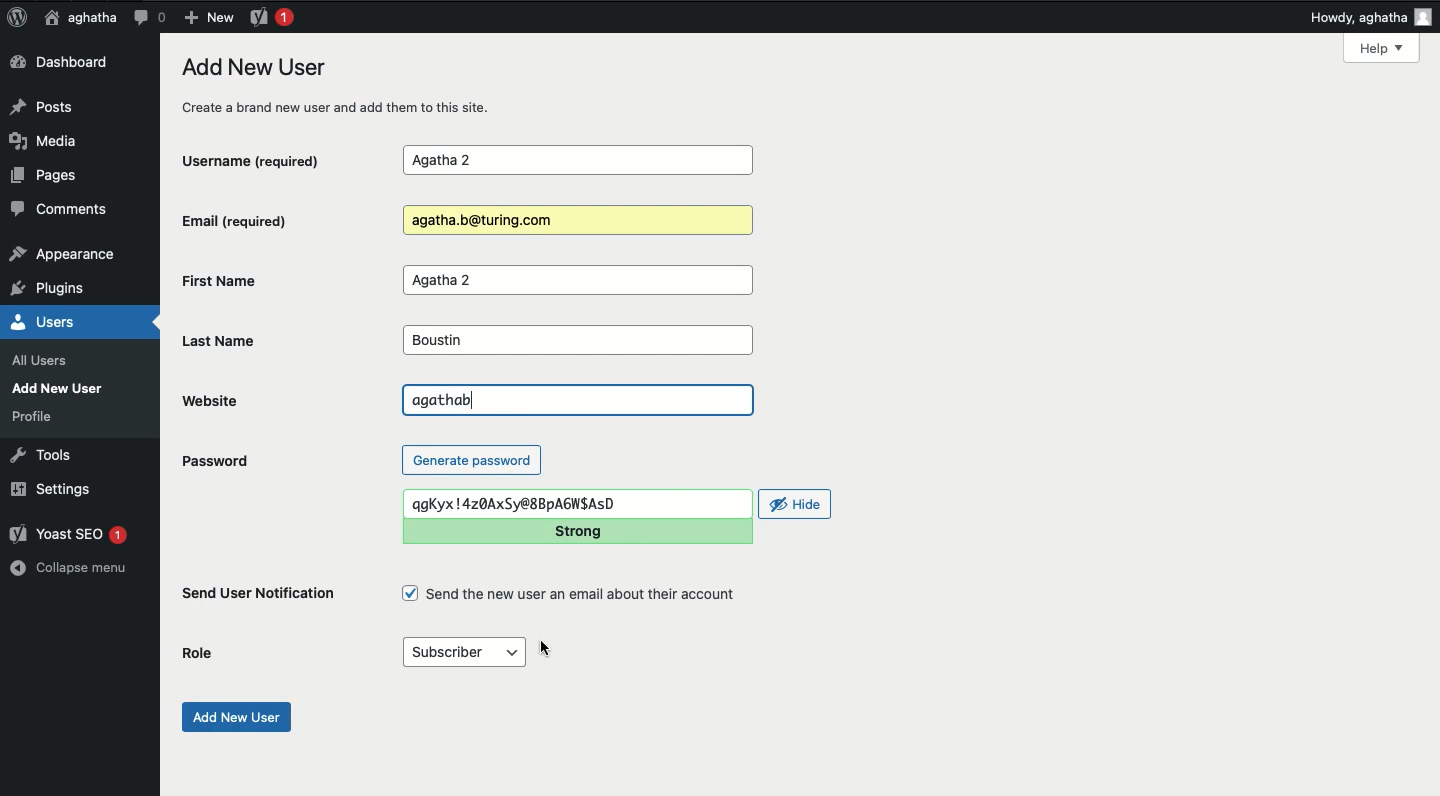 The image size is (1440, 796). What do you see at coordinates (42, 453) in the screenshot?
I see `Tools` at bounding box center [42, 453].